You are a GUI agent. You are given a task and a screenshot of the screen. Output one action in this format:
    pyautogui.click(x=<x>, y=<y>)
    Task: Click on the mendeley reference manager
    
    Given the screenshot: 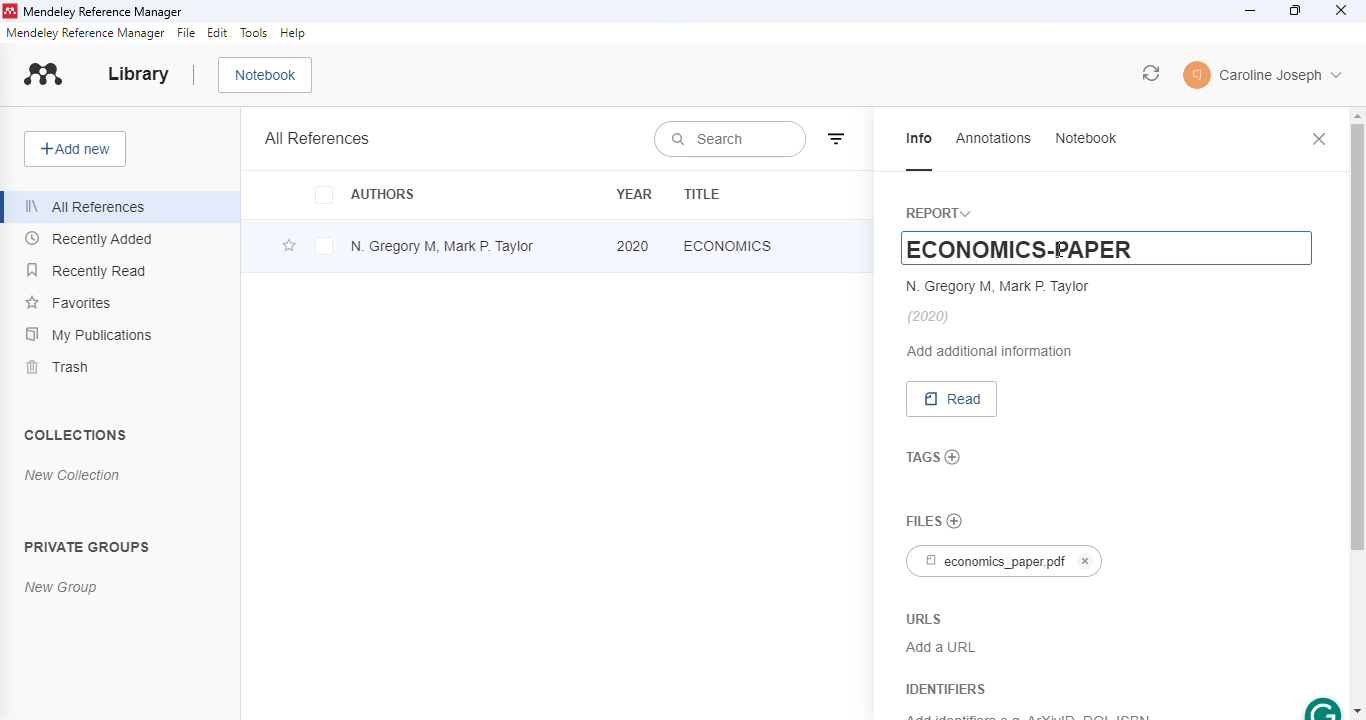 What is the action you would take?
    pyautogui.click(x=103, y=12)
    